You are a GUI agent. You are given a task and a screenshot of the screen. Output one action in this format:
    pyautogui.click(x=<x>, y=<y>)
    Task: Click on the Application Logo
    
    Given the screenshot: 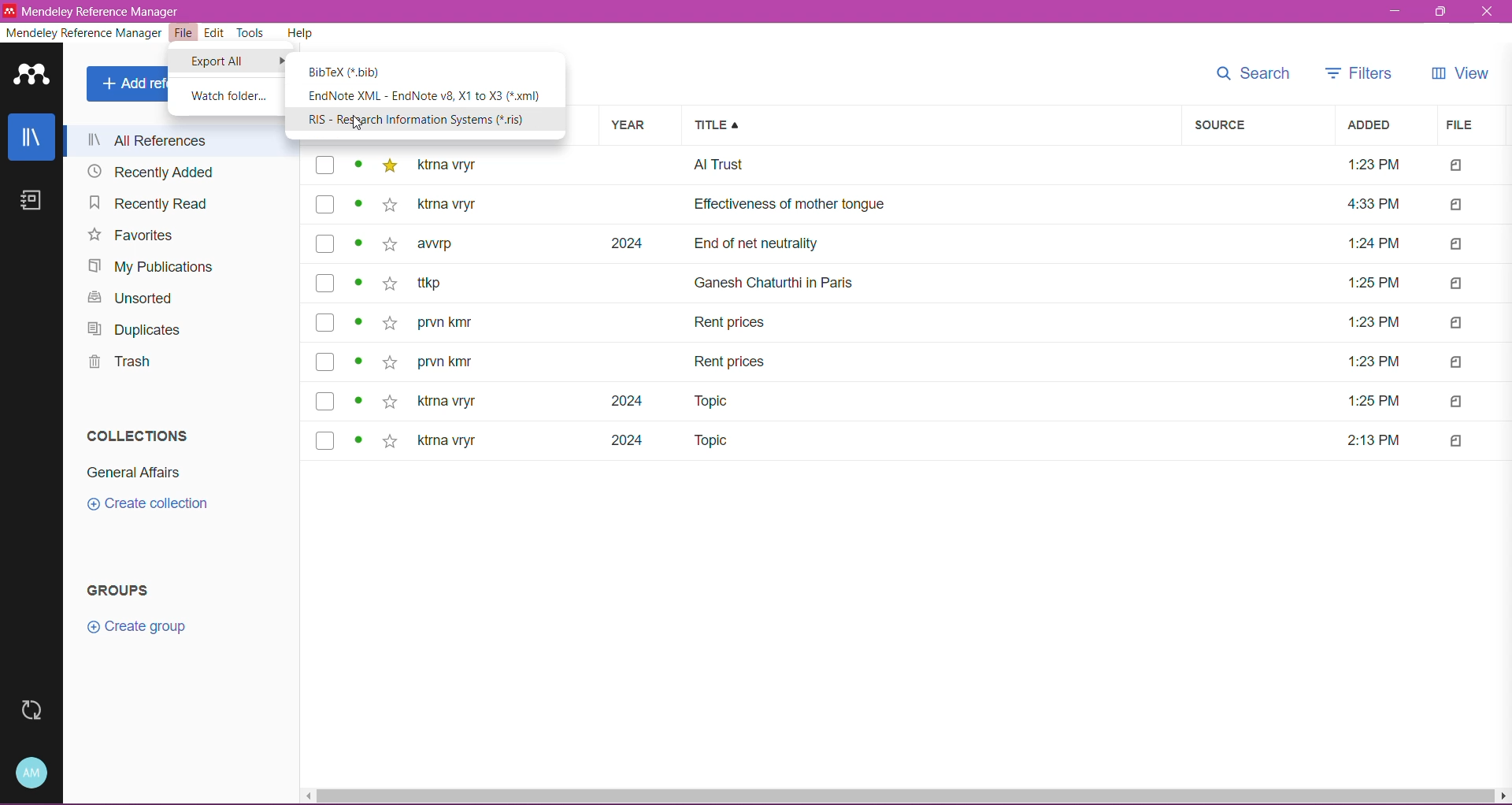 What is the action you would take?
    pyautogui.click(x=36, y=76)
    